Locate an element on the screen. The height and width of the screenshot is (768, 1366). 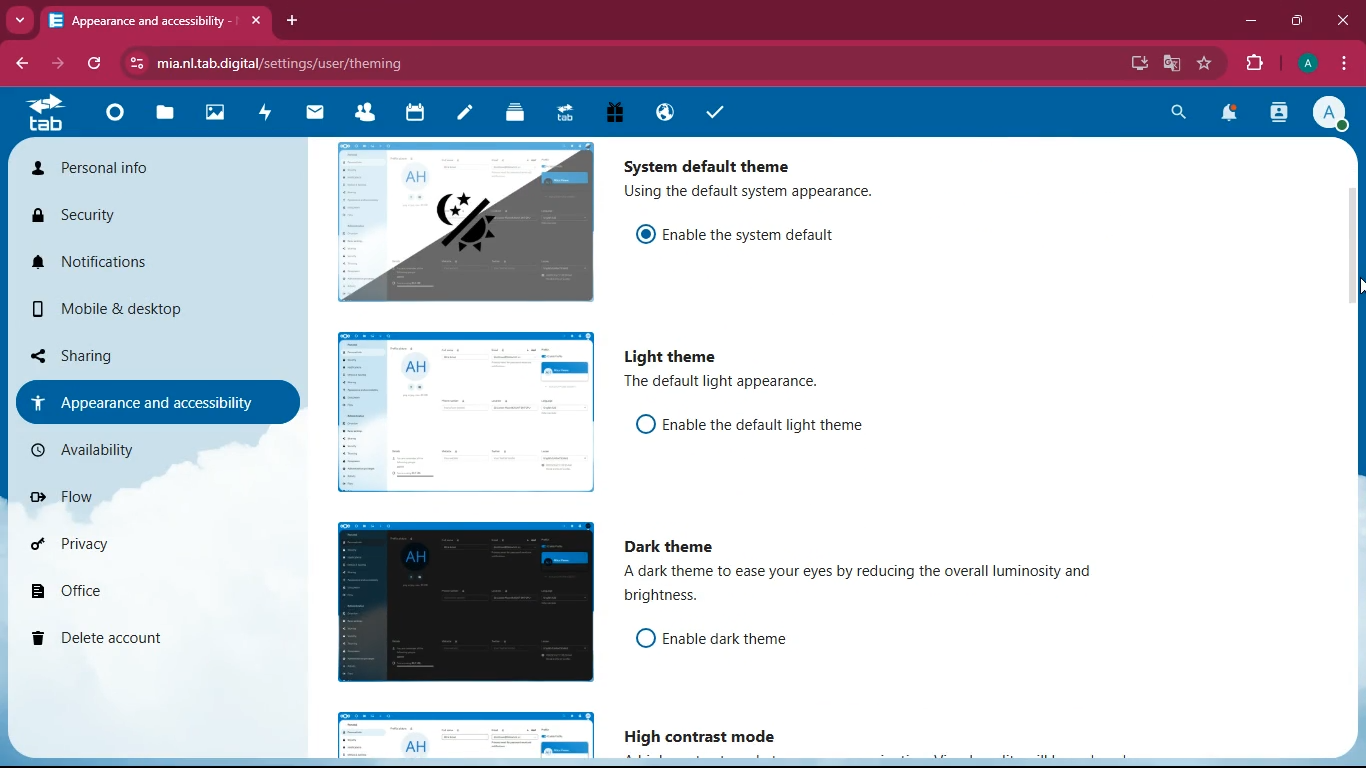
cursor is located at coordinates (1357, 286).